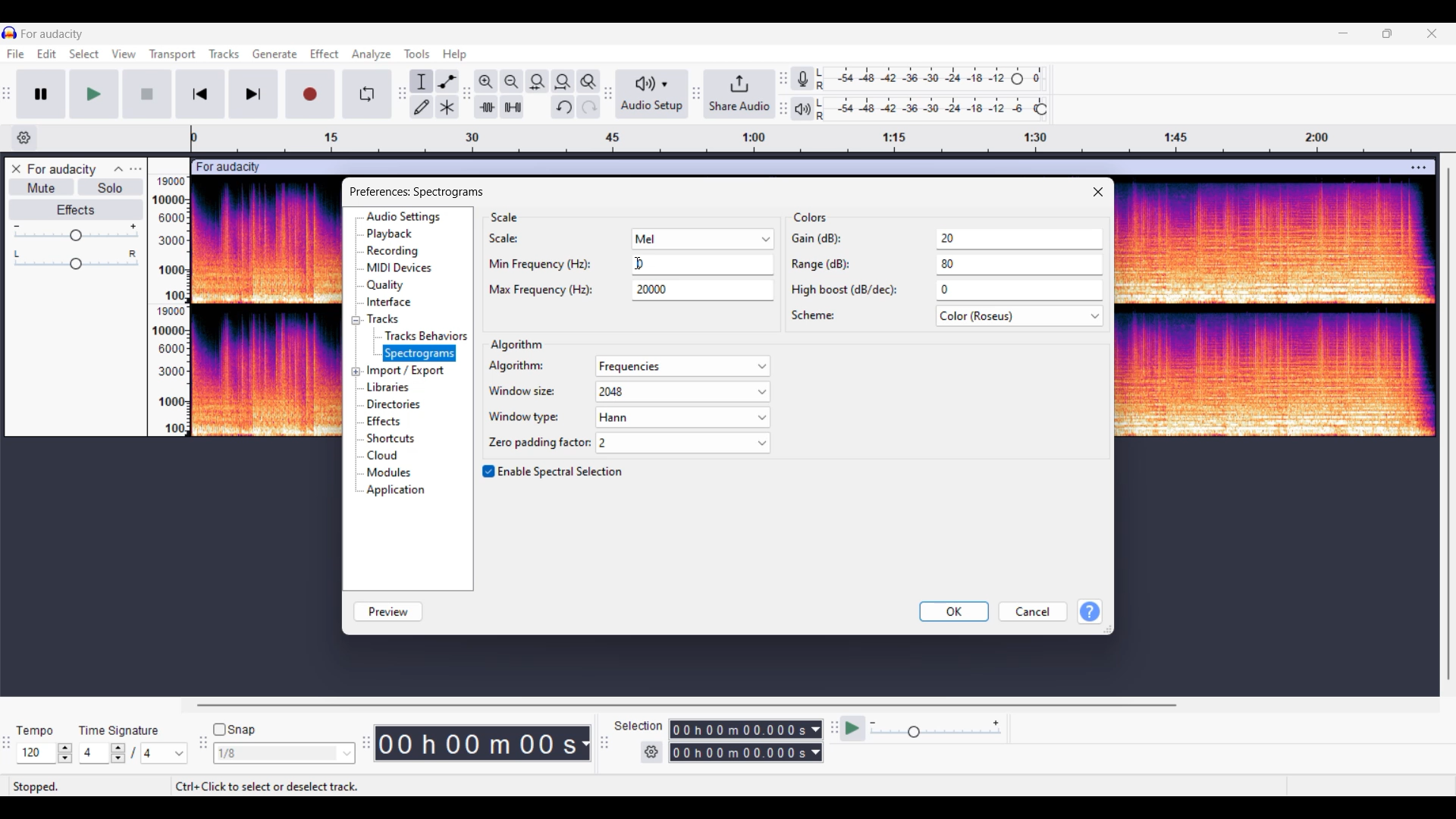  What do you see at coordinates (639, 726) in the screenshot?
I see `Indicates selection duration` at bounding box center [639, 726].